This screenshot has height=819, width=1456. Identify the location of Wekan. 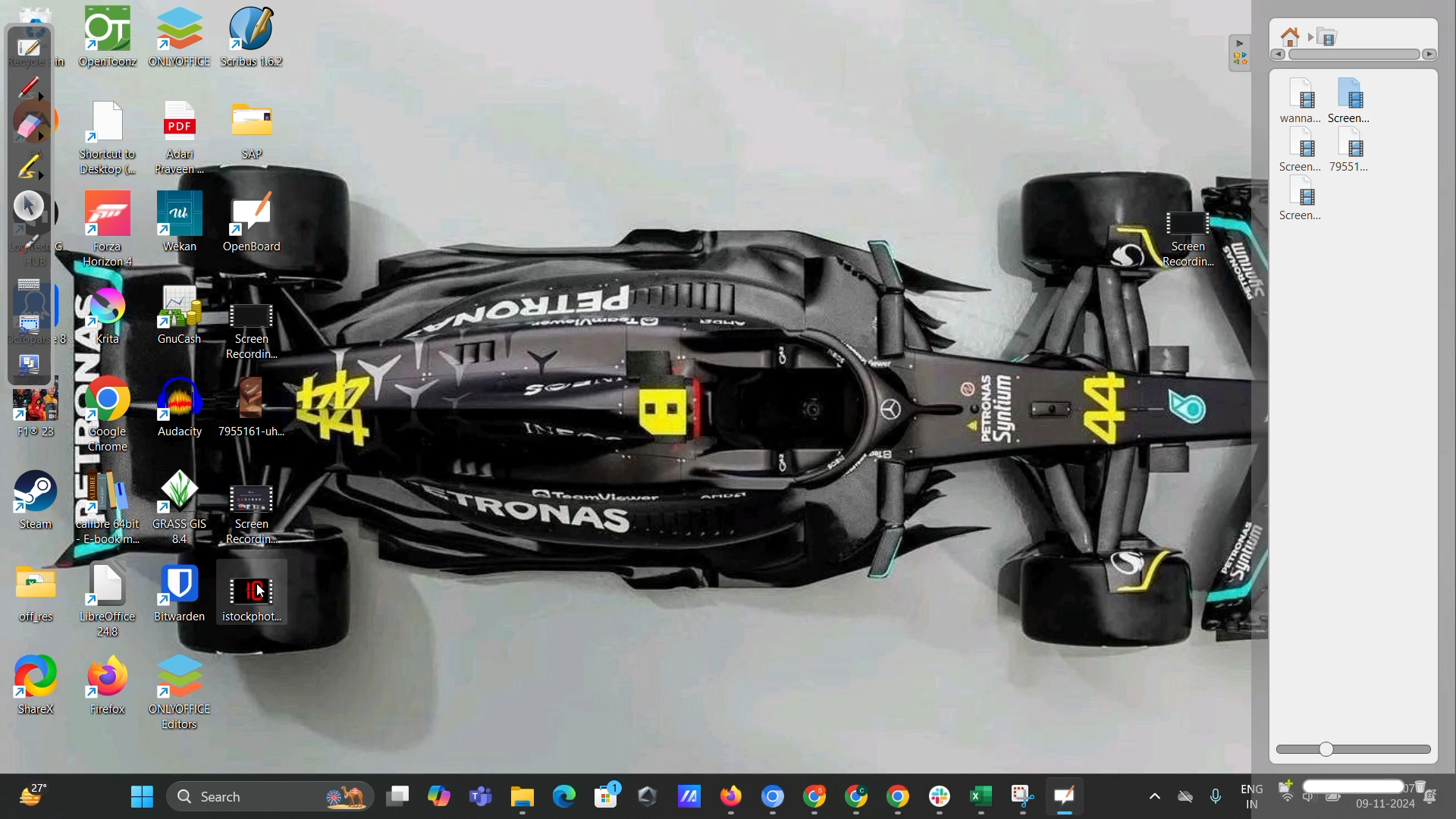
(181, 223).